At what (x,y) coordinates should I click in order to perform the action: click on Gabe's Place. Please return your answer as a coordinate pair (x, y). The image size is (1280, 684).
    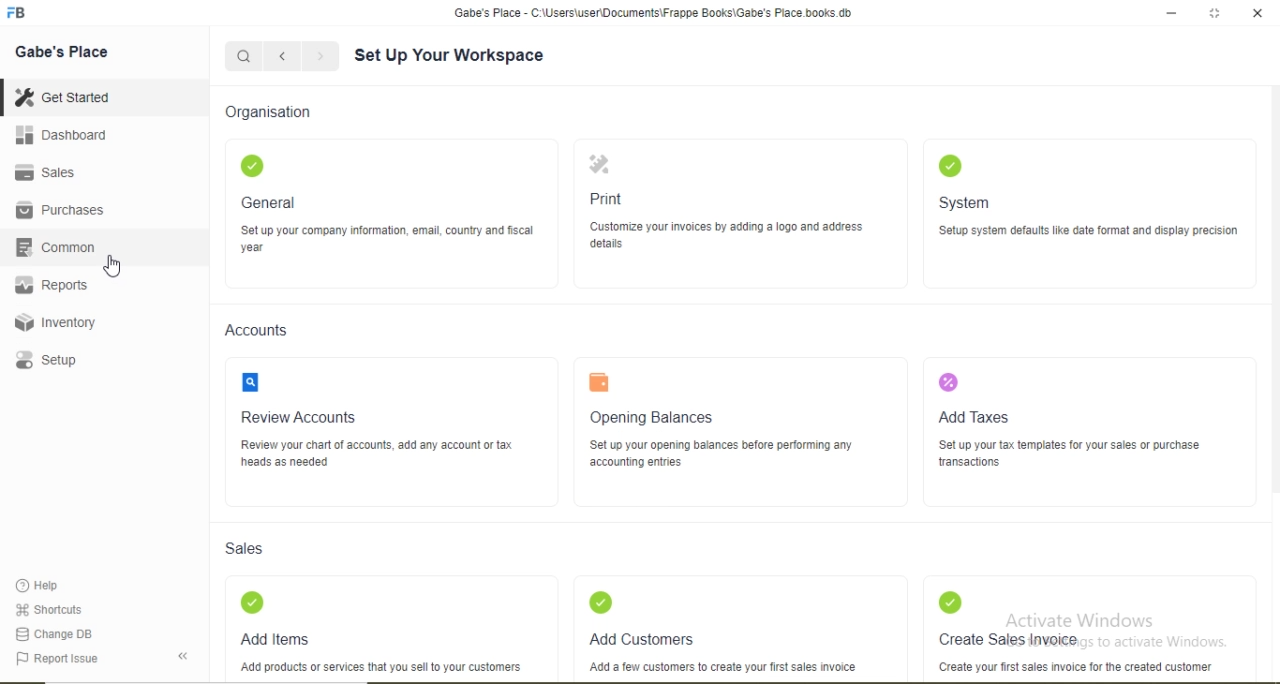
    Looking at the image, I should click on (62, 52).